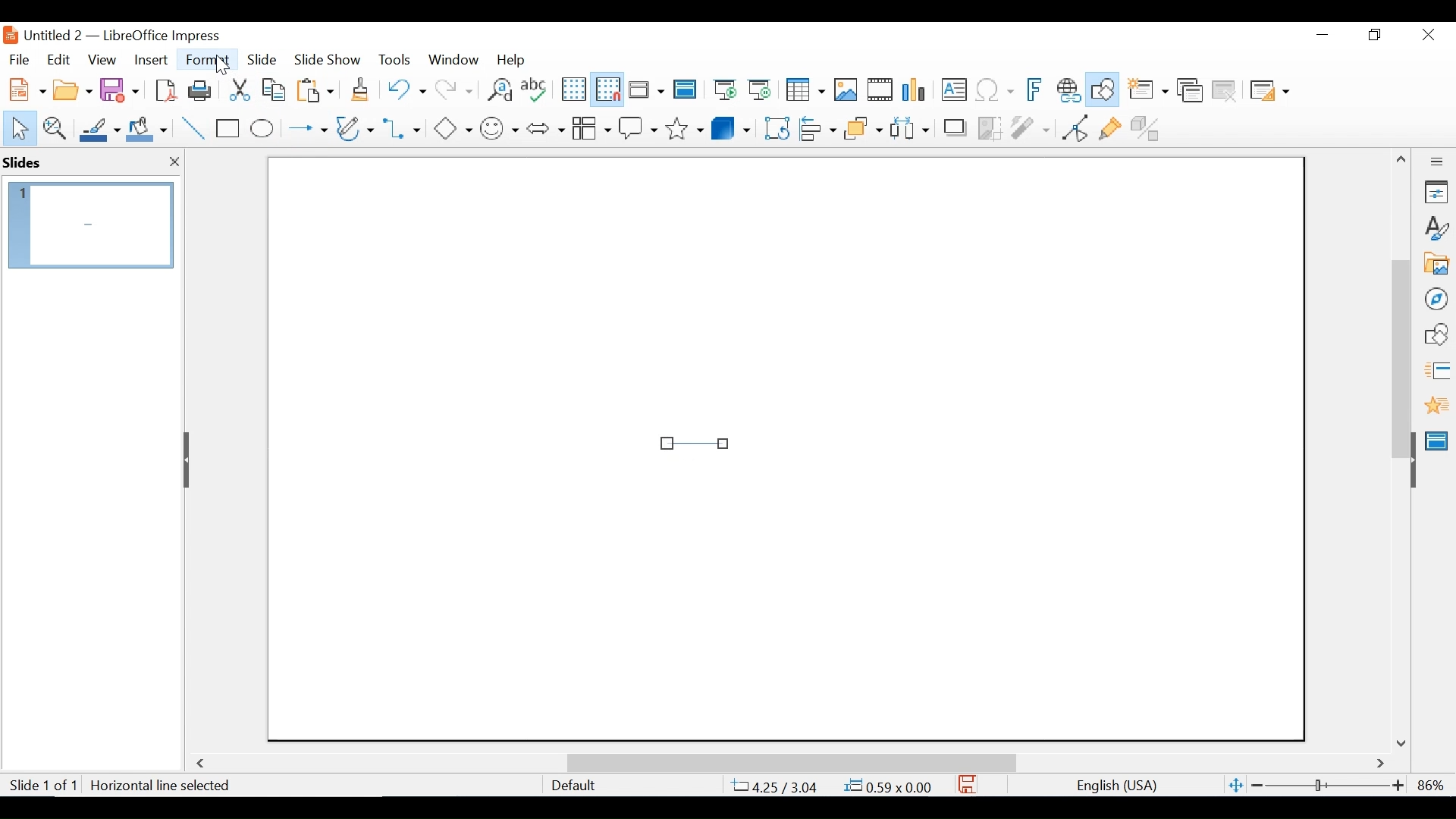  What do you see at coordinates (1437, 405) in the screenshot?
I see `Animation` at bounding box center [1437, 405].